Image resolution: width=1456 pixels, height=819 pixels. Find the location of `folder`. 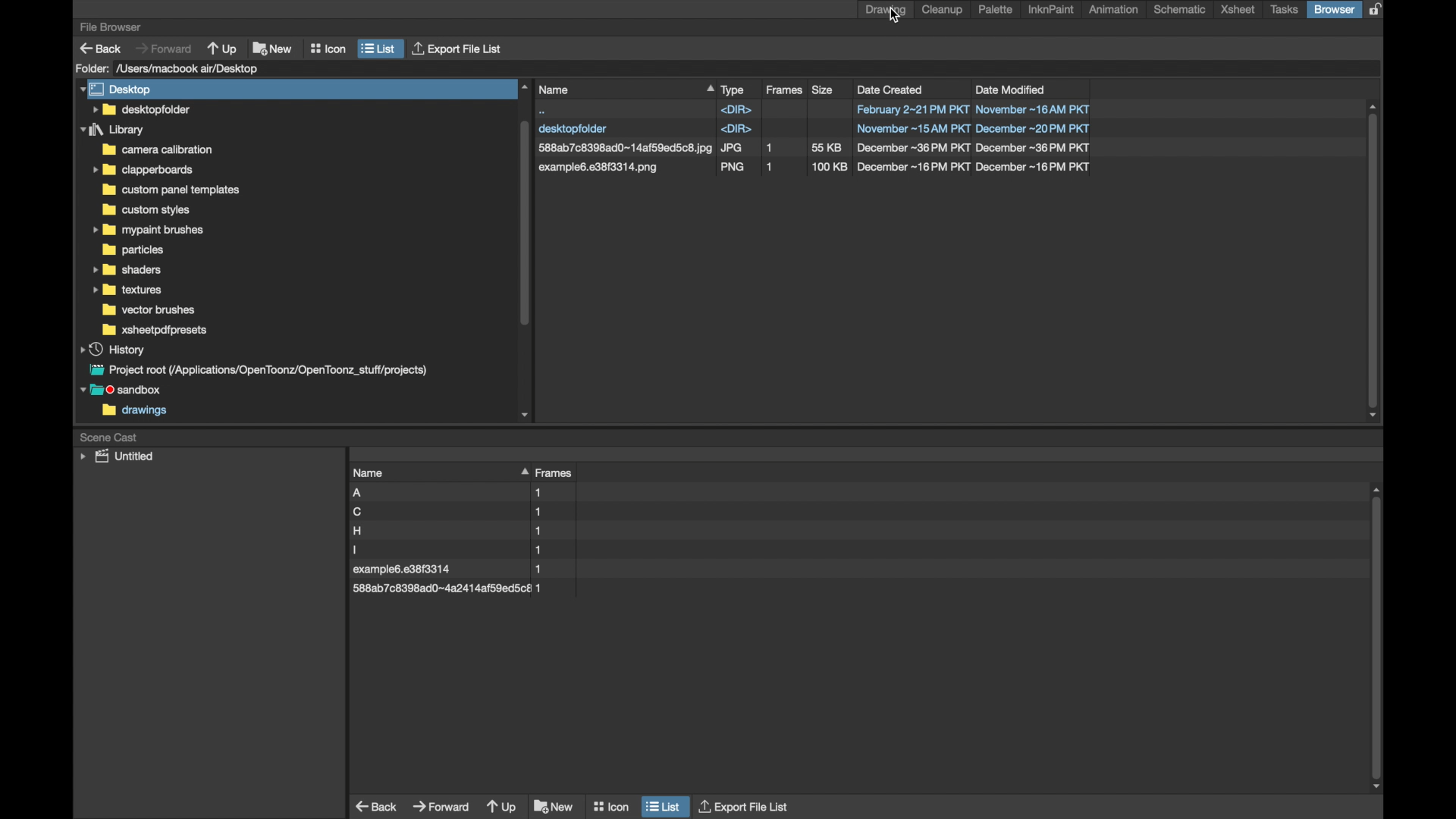

folder is located at coordinates (92, 68).